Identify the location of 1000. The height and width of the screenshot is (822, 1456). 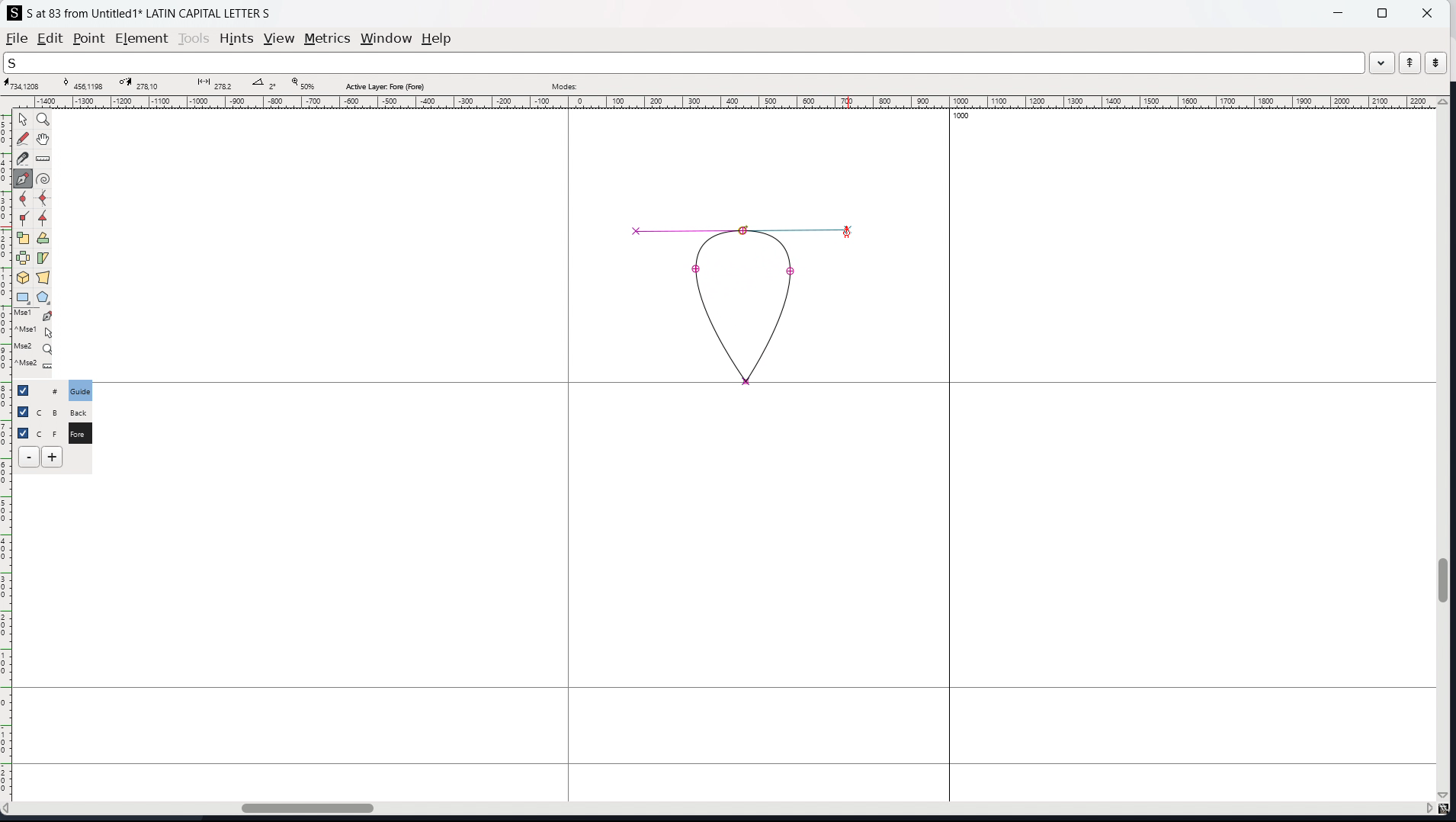
(966, 117).